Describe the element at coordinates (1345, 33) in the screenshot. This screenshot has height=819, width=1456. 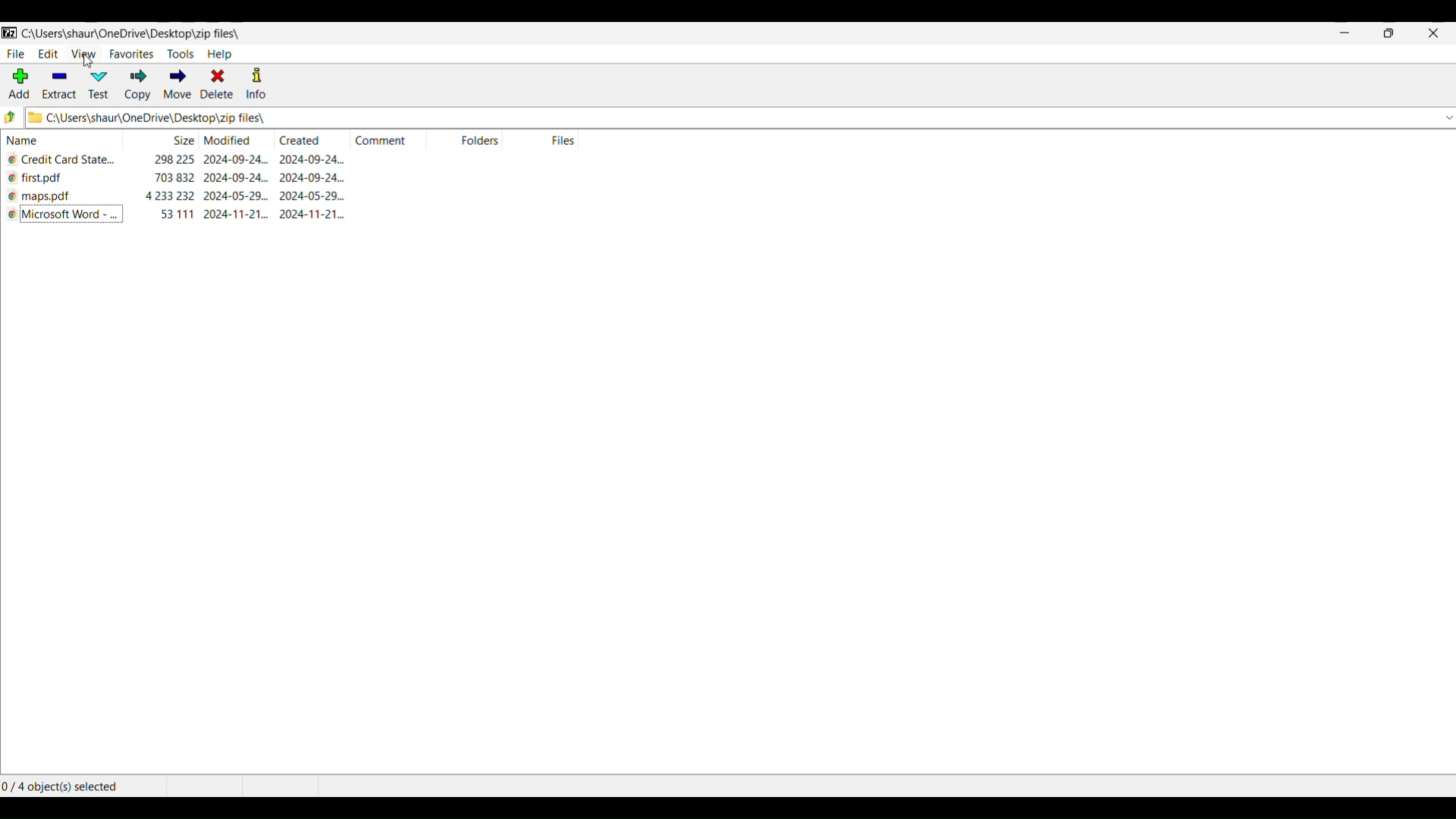
I see `minimize` at that location.